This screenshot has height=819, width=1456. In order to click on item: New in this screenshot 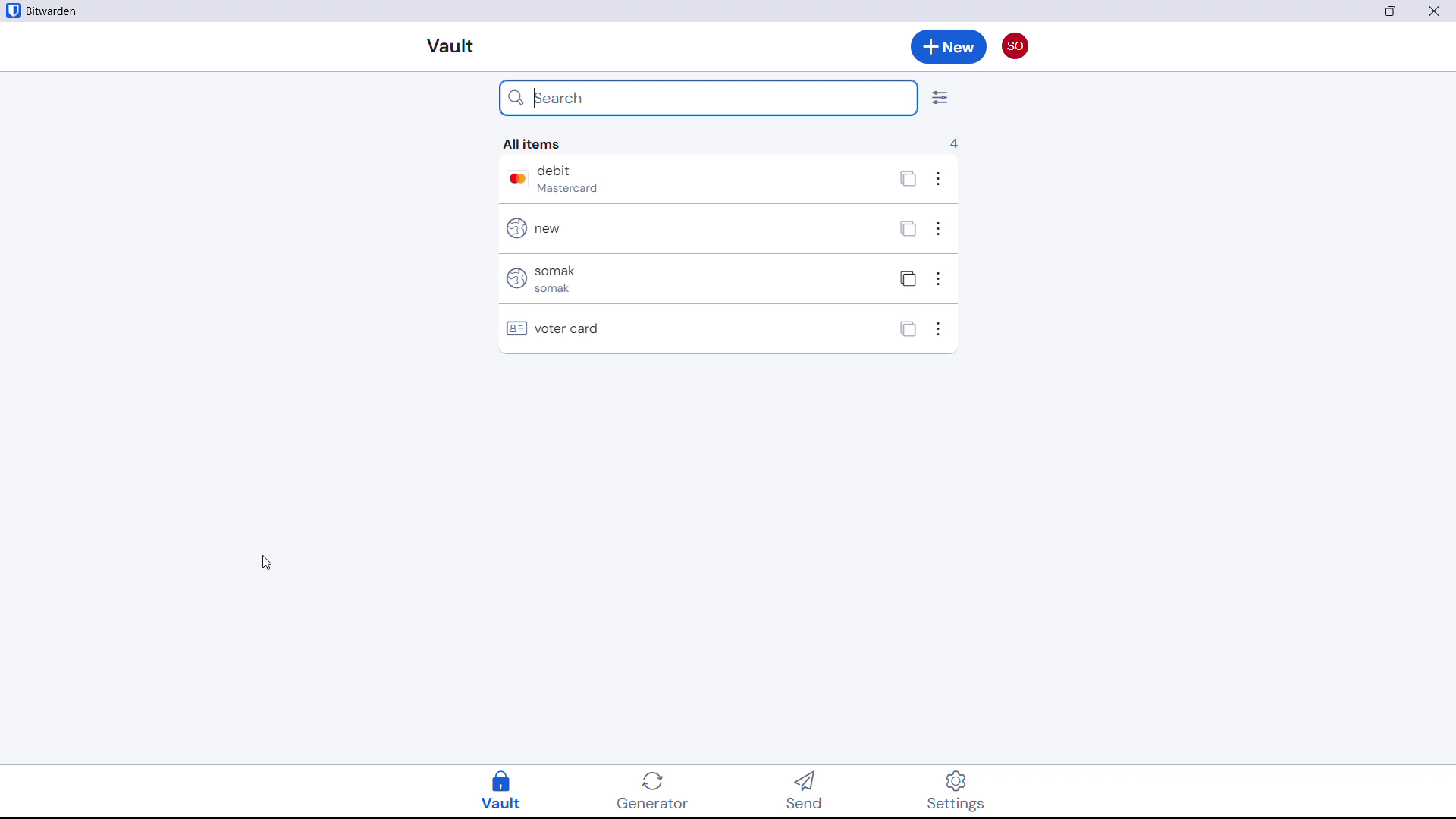, I will do `click(702, 227)`.